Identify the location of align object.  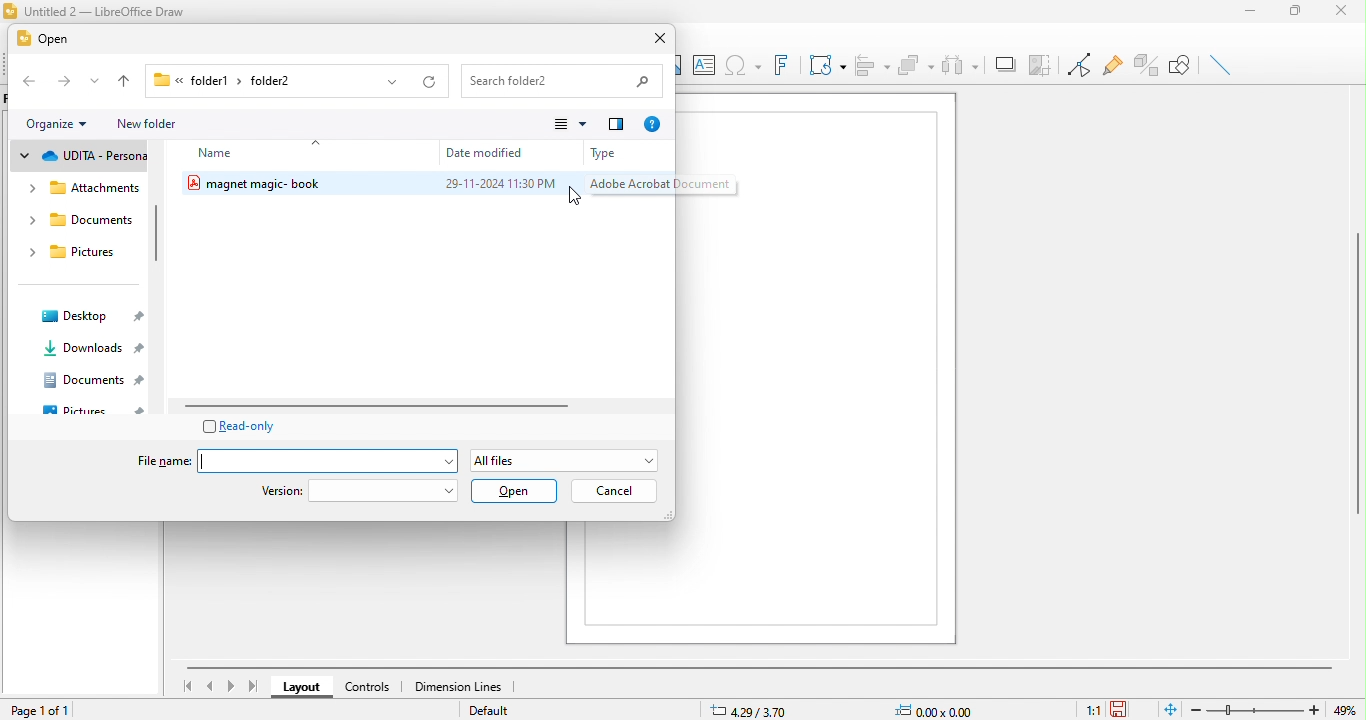
(872, 63).